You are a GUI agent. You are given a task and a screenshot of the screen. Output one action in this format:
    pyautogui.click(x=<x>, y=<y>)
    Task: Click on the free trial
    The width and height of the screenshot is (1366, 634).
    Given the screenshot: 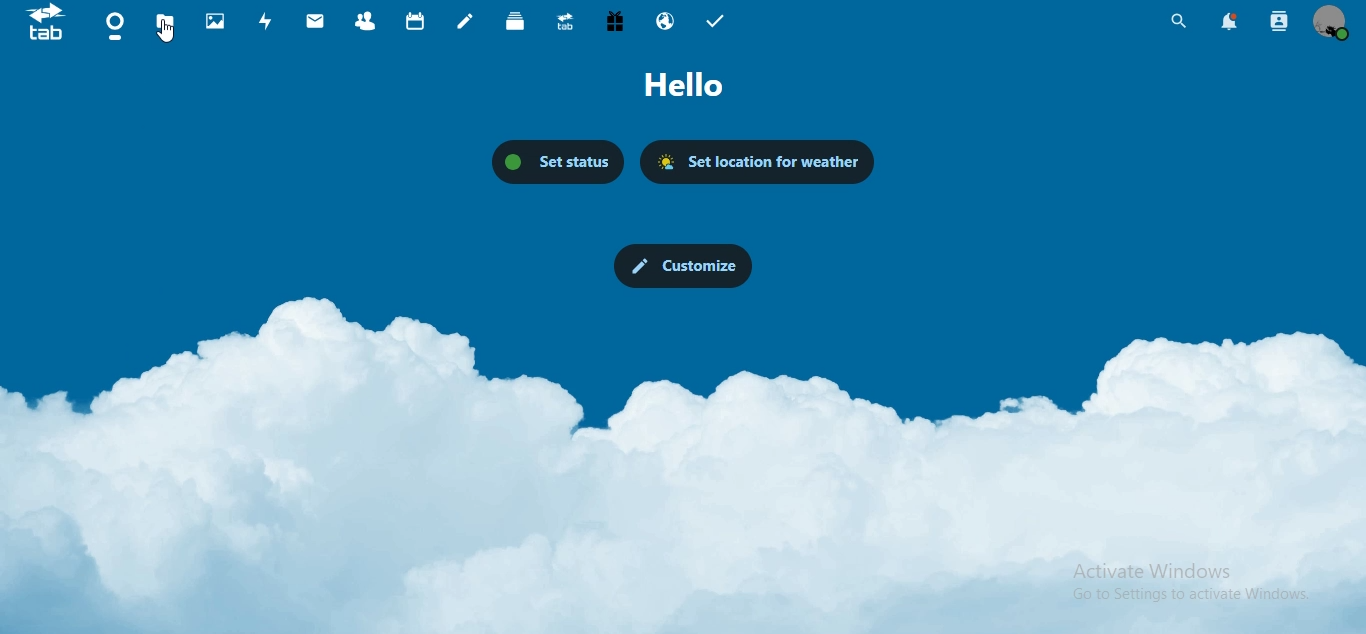 What is the action you would take?
    pyautogui.click(x=614, y=22)
    